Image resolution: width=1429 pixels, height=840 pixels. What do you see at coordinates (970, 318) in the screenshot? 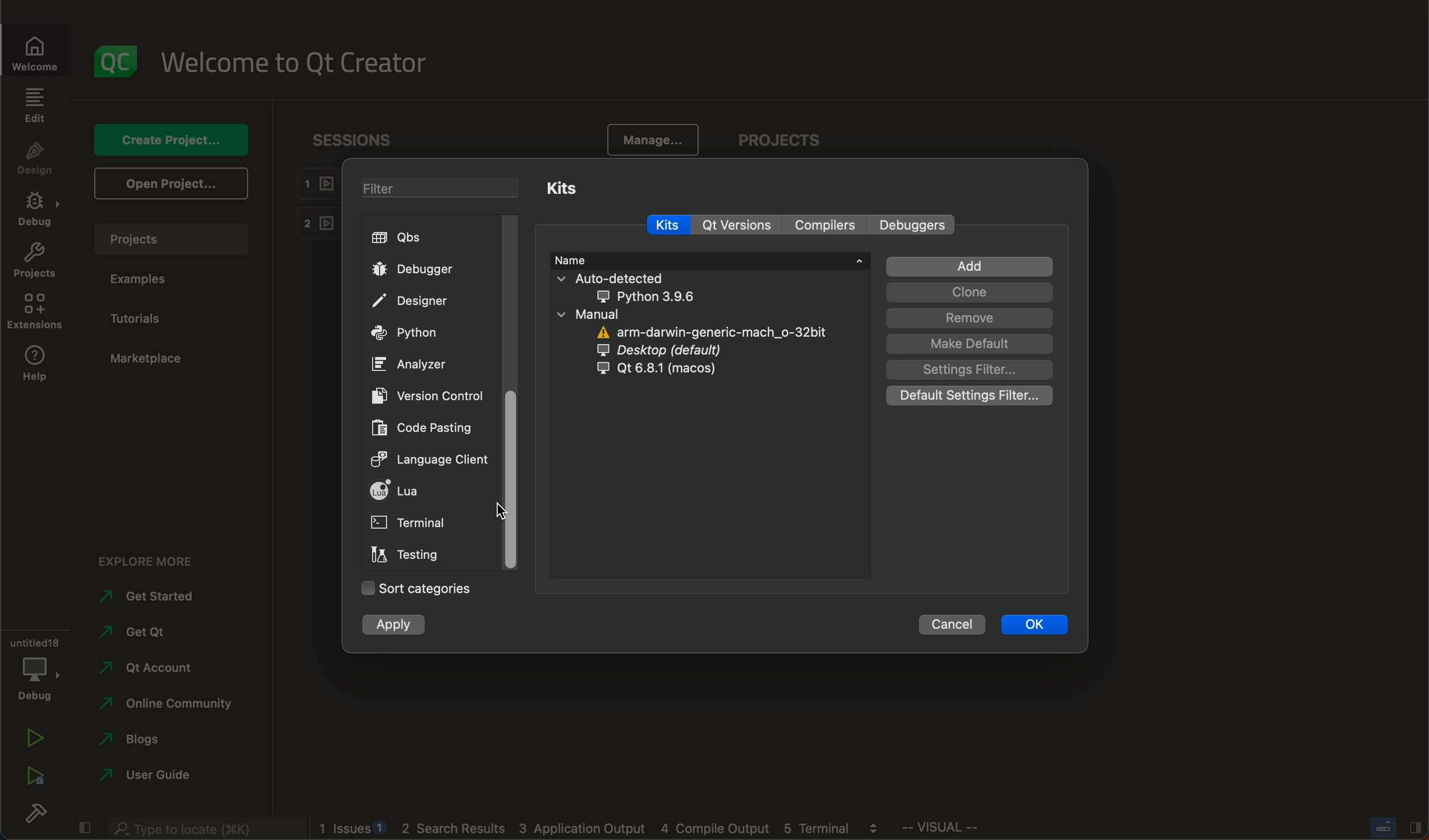
I see `remove` at bounding box center [970, 318].